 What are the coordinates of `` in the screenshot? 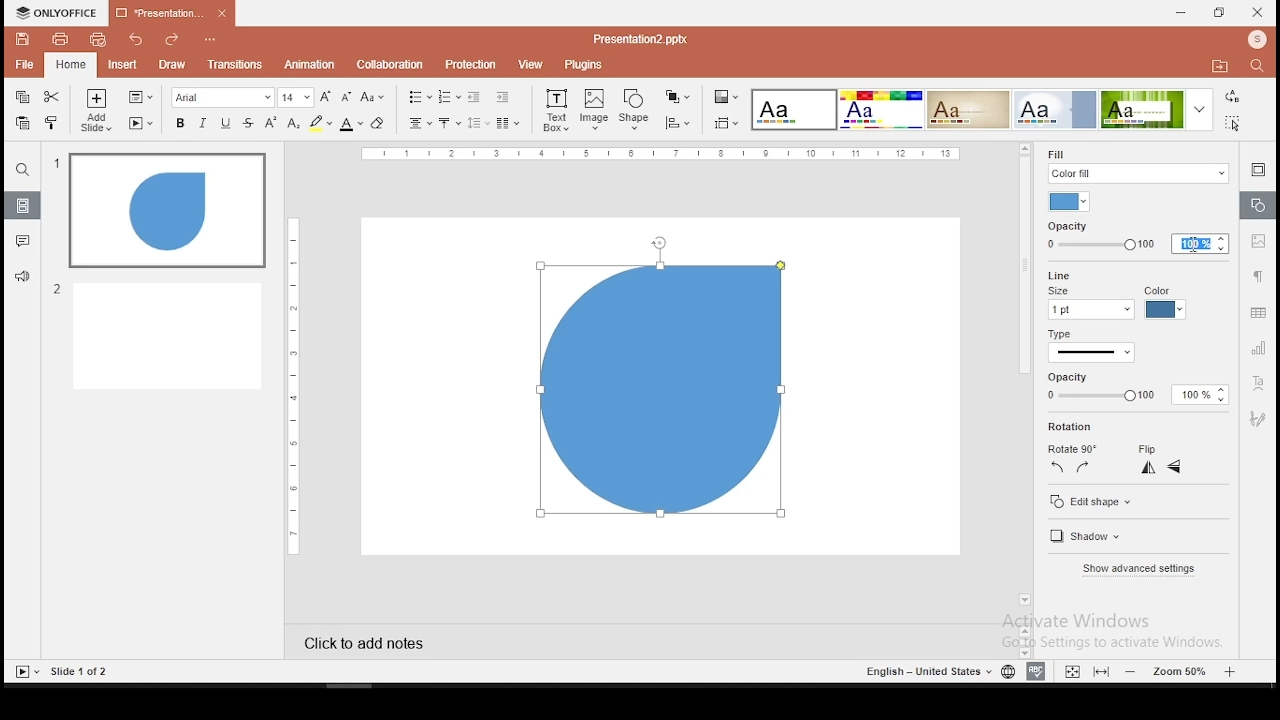 It's located at (1259, 418).